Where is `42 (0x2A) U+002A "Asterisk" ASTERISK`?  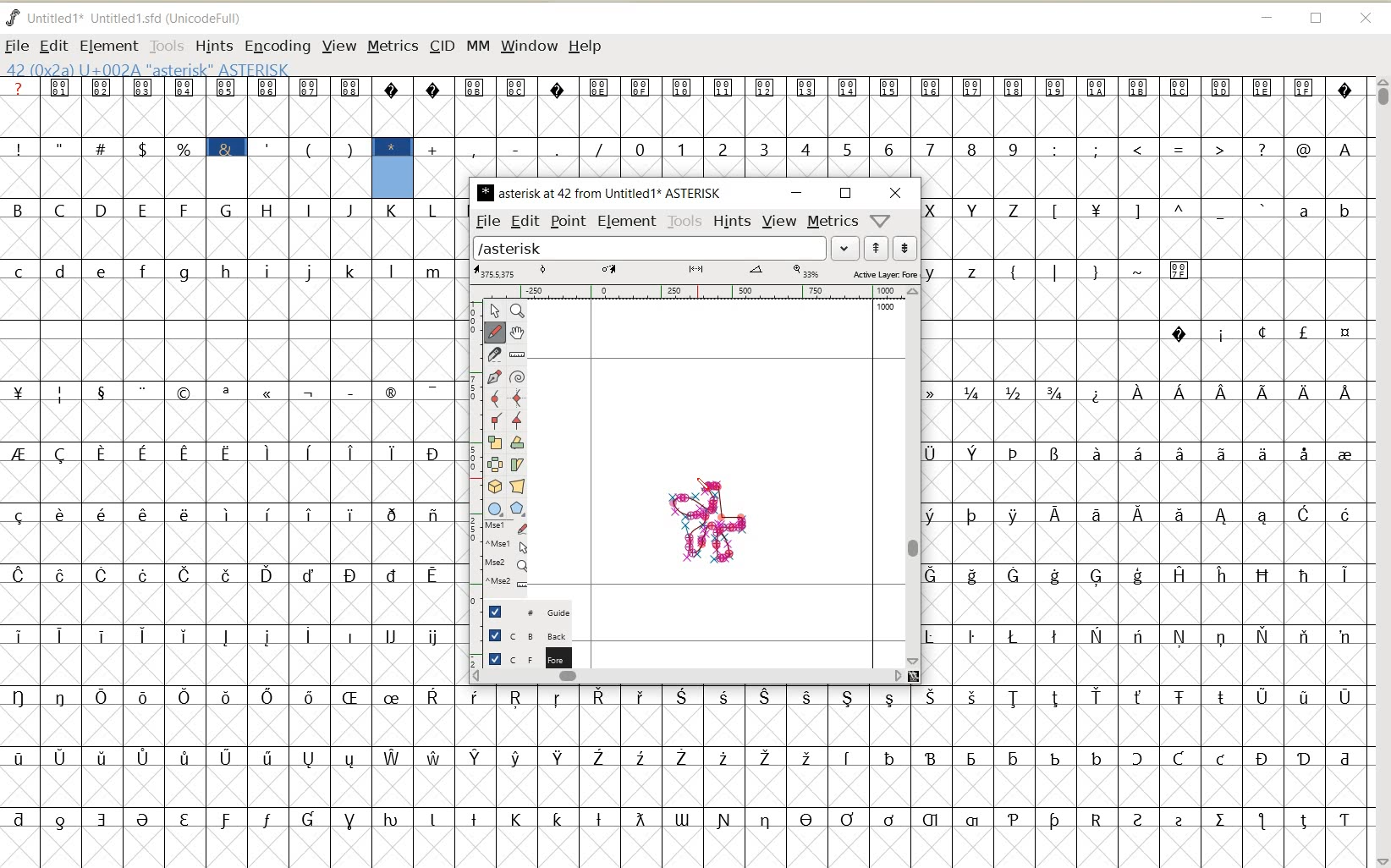
42 (0x2A) U+002A "Asterisk" ASTERISK is located at coordinates (147, 69).